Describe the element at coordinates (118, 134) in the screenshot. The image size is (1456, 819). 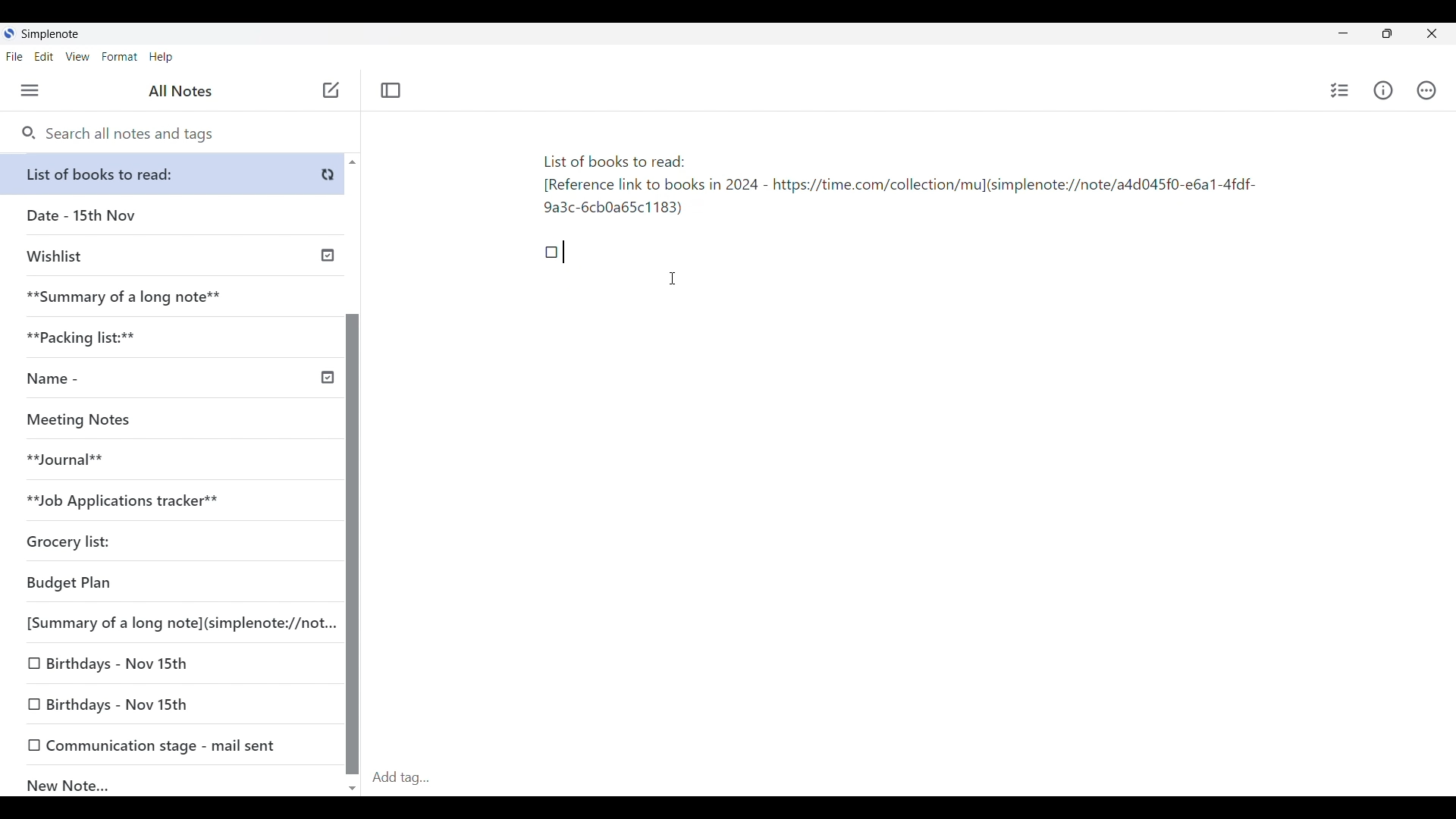
I see `Search all notes and tags` at that location.